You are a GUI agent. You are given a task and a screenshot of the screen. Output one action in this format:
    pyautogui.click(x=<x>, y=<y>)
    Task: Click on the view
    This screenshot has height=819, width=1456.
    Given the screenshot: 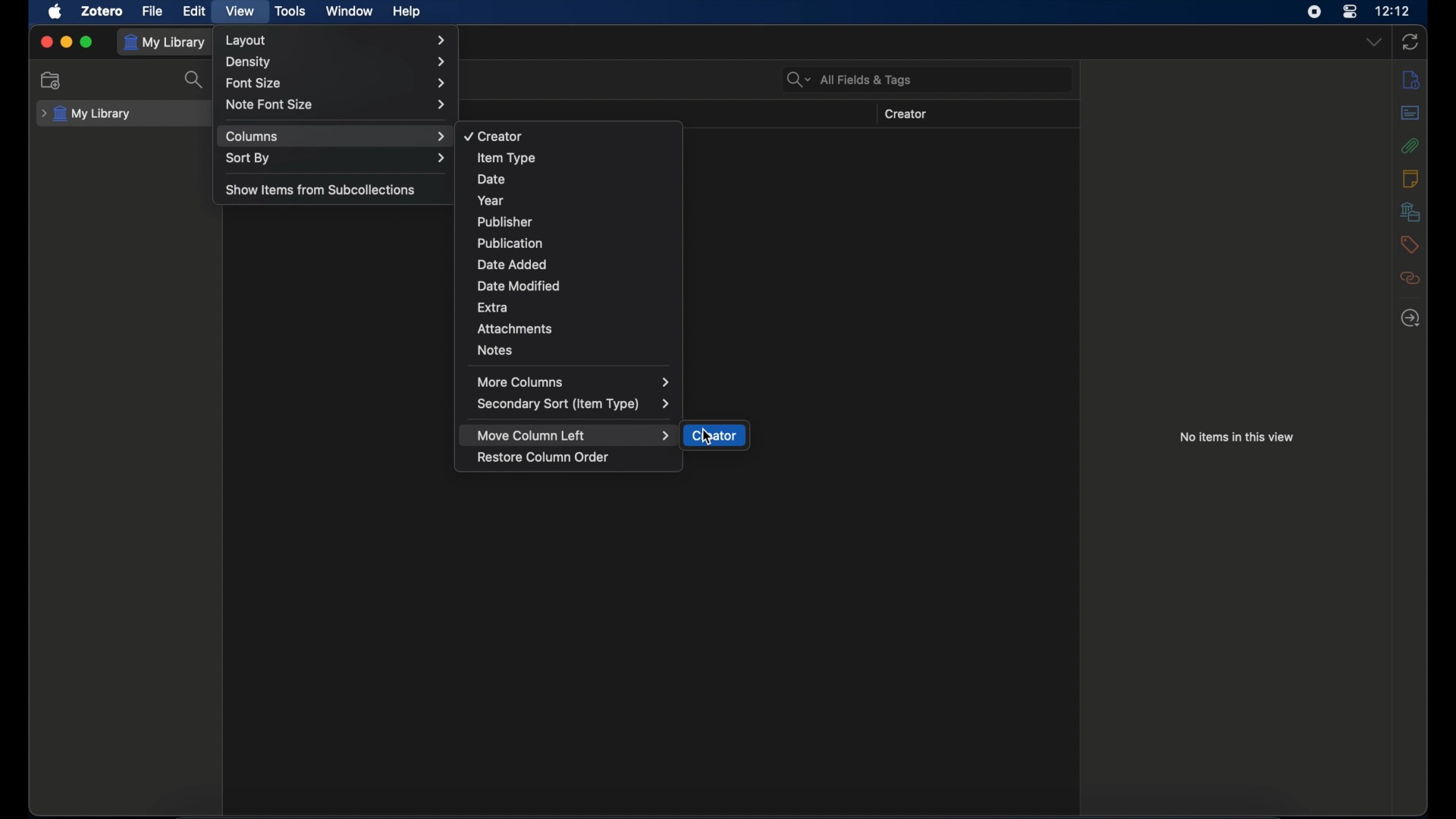 What is the action you would take?
    pyautogui.click(x=238, y=11)
    